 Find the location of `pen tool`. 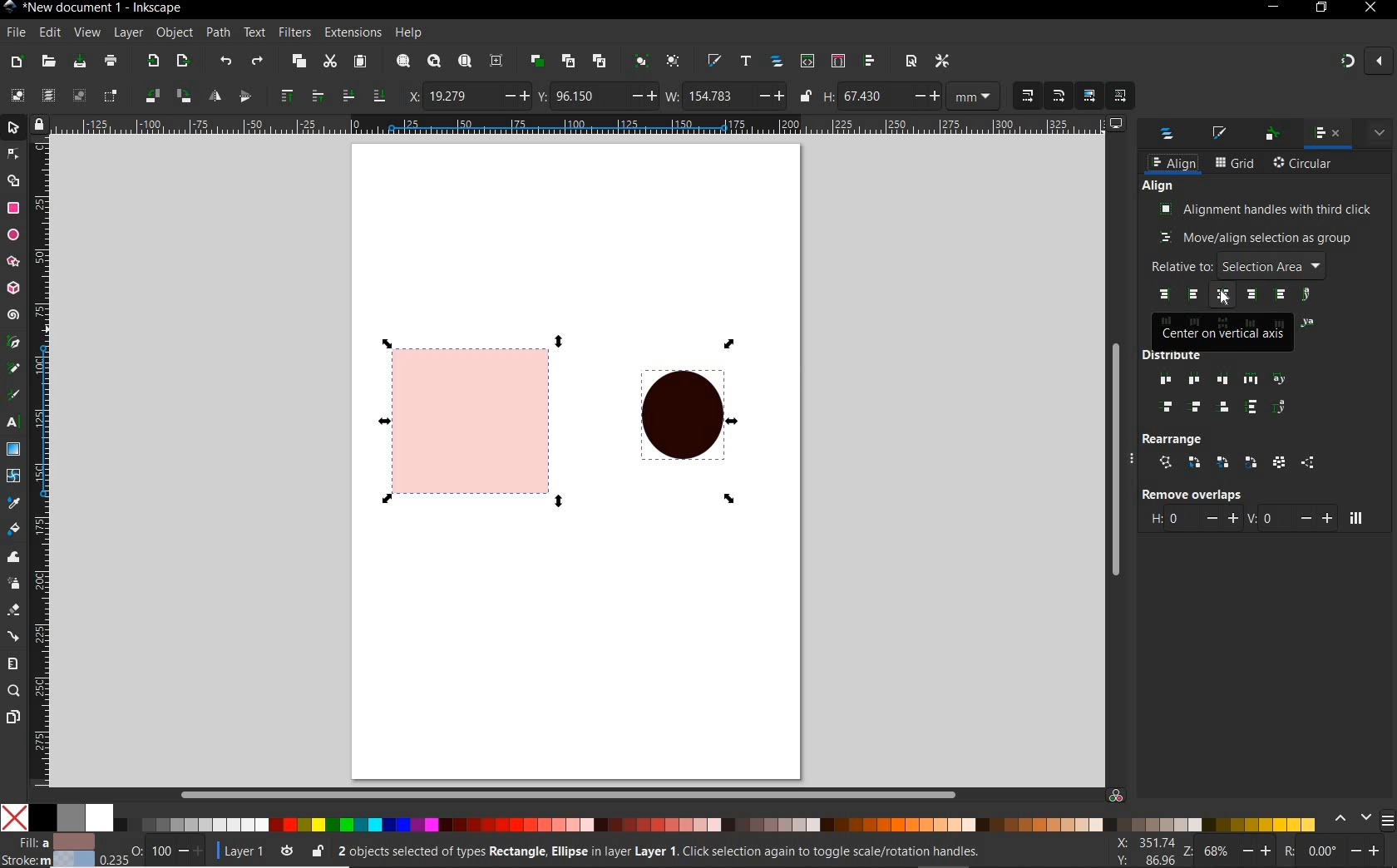

pen tool is located at coordinates (12, 341).